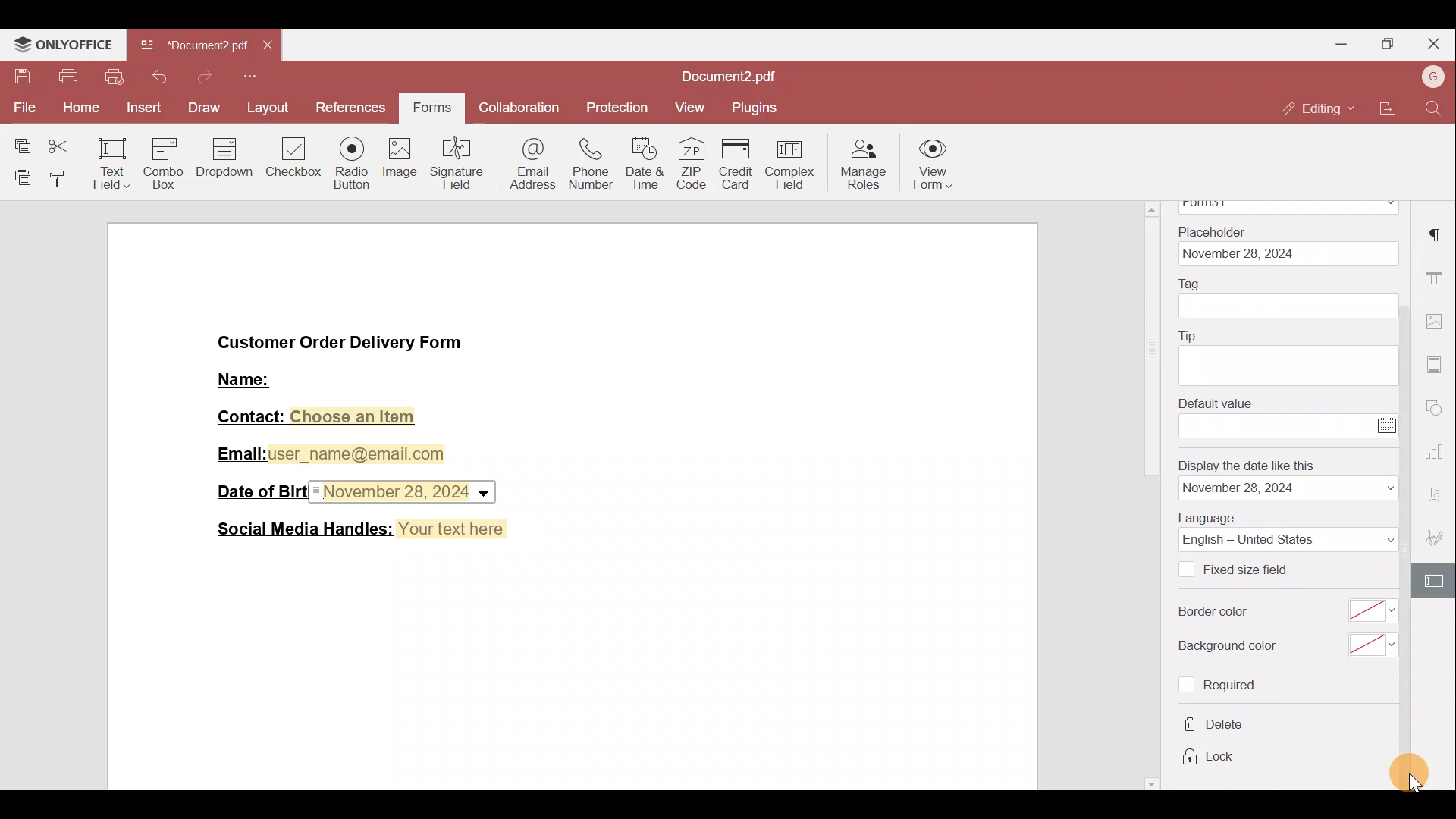 Image resolution: width=1456 pixels, height=819 pixels. What do you see at coordinates (295, 163) in the screenshot?
I see `Checkbox` at bounding box center [295, 163].